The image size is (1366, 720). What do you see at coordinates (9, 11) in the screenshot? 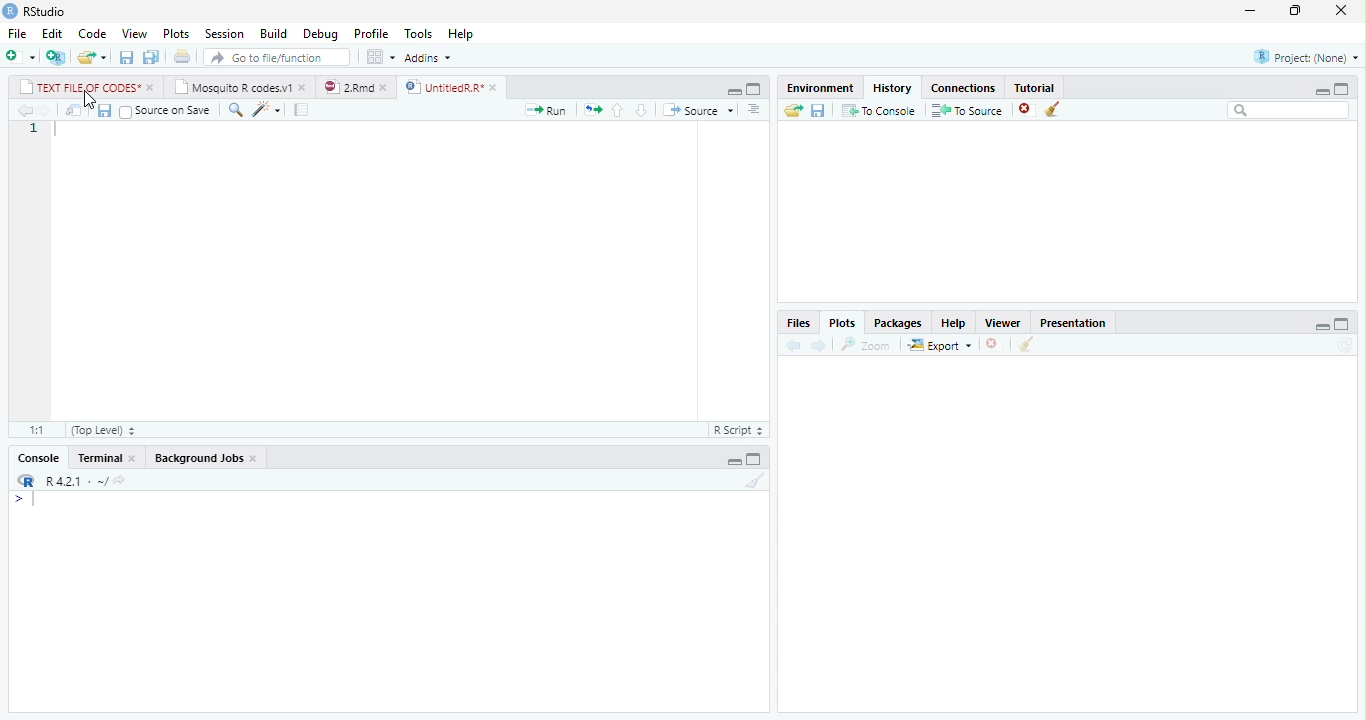
I see `logo` at bounding box center [9, 11].